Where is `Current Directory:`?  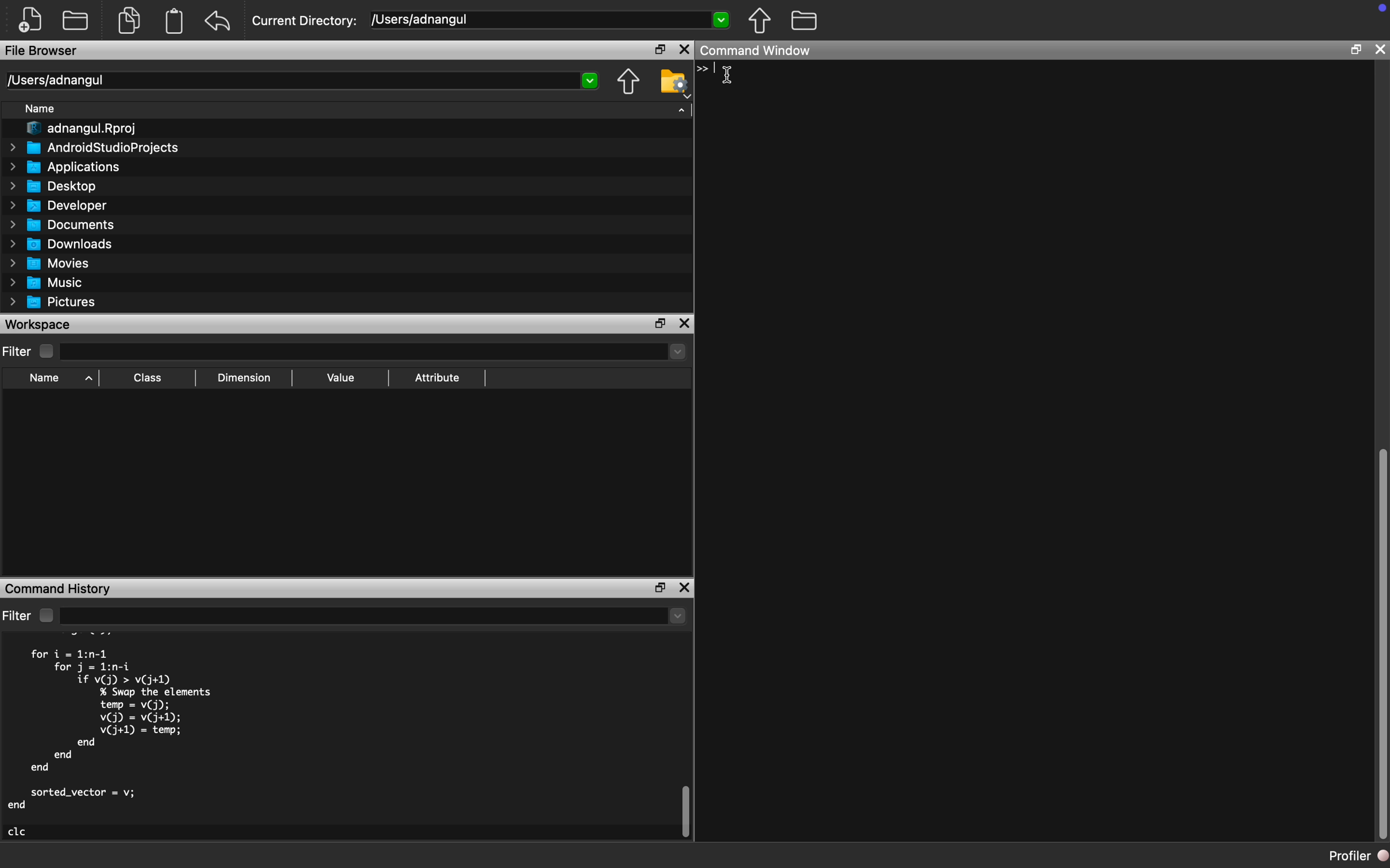
Current Directory: is located at coordinates (306, 21).